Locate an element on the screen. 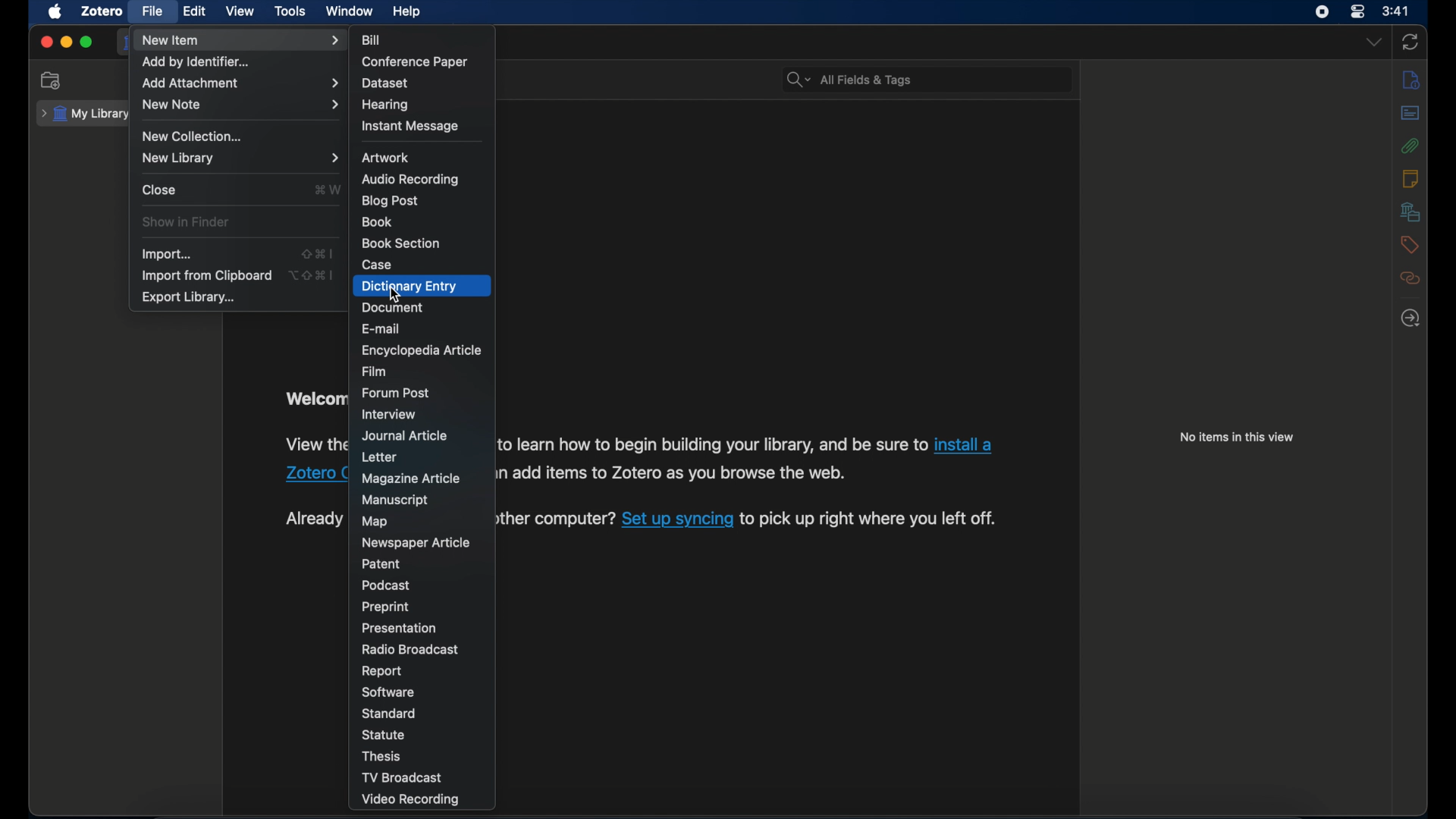  text is located at coordinates (708, 447).